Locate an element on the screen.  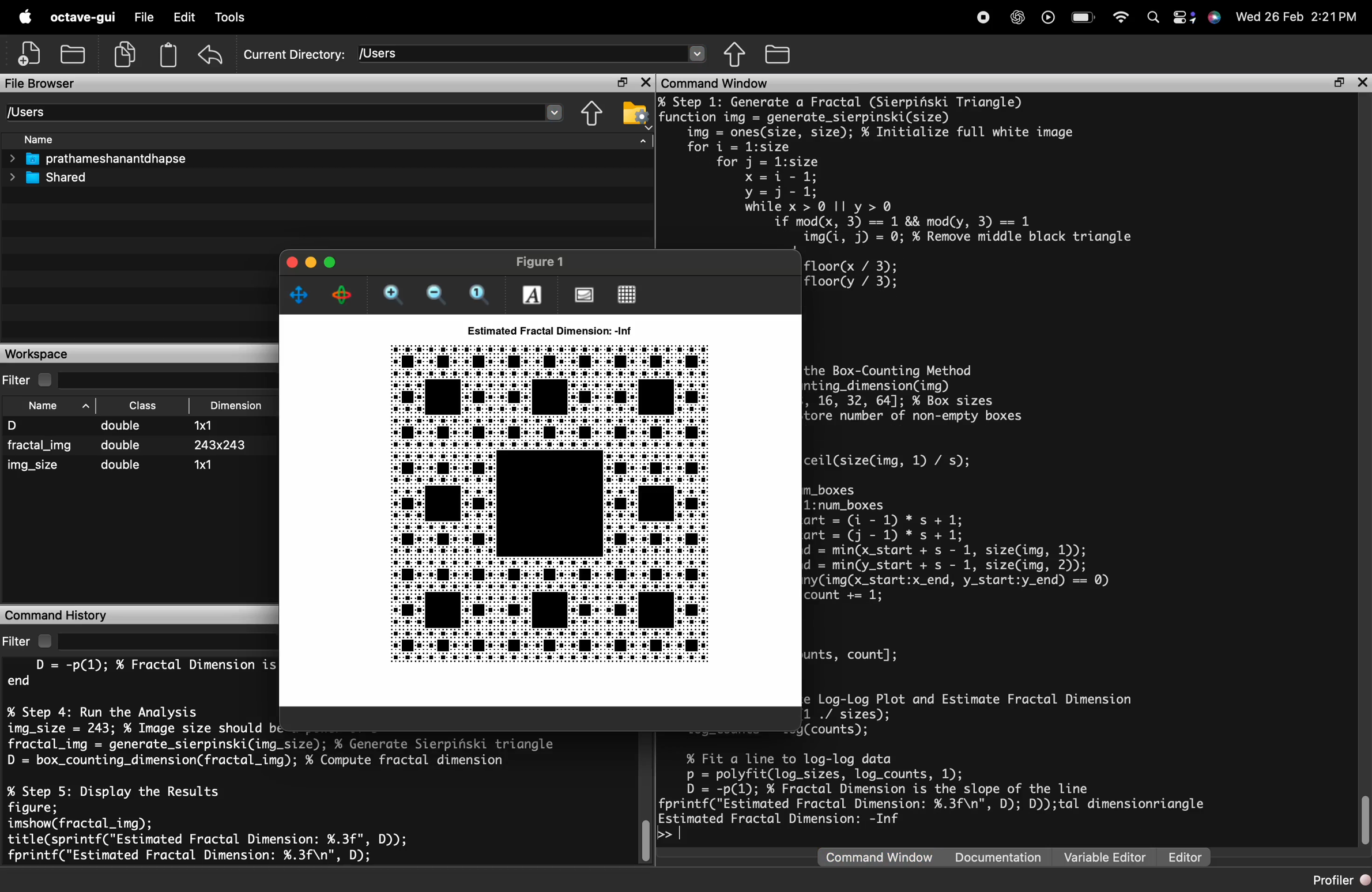
filter input field is located at coordinates (163, 375).